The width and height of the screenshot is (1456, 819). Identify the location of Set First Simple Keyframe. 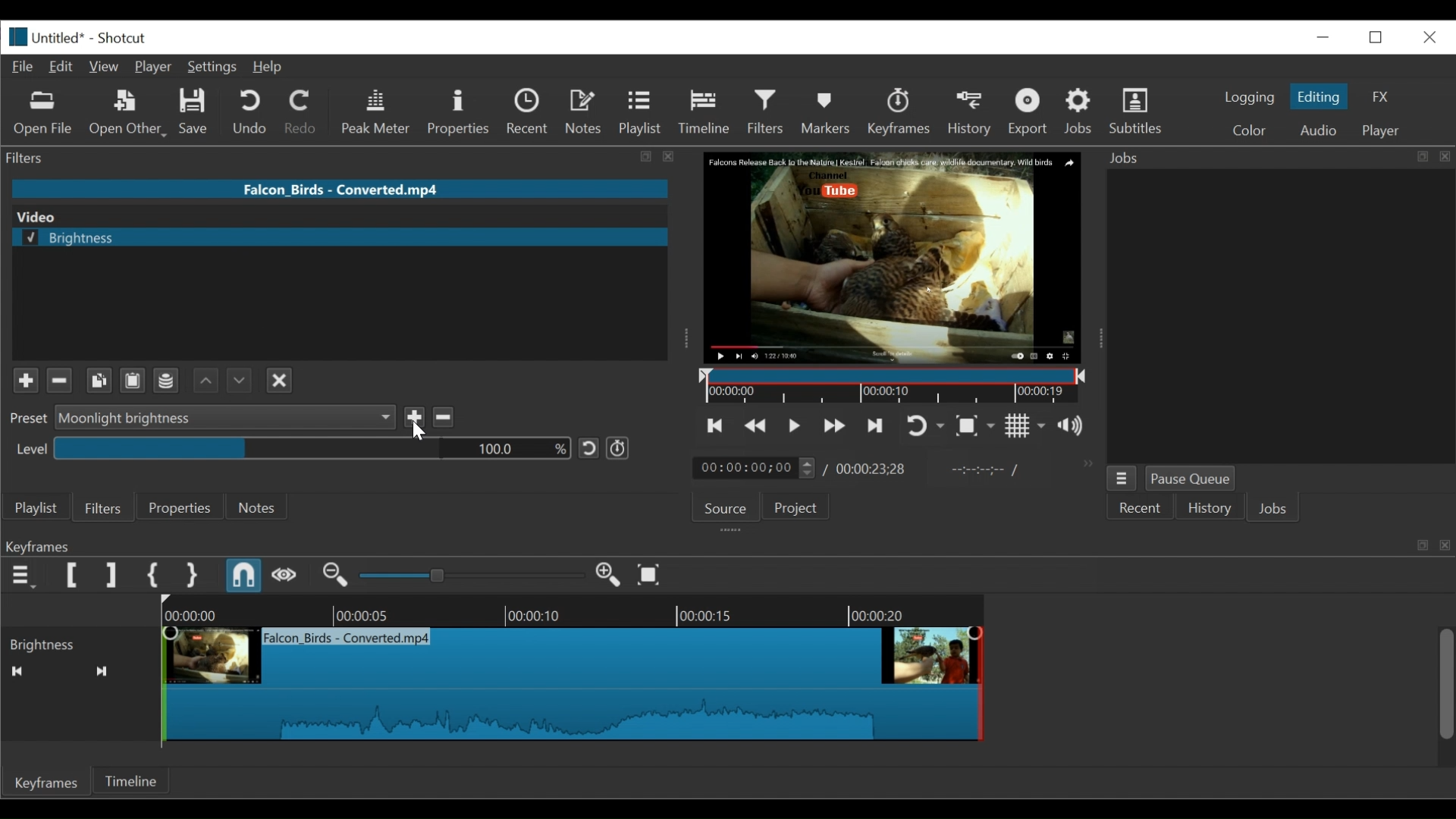
(152, 576).